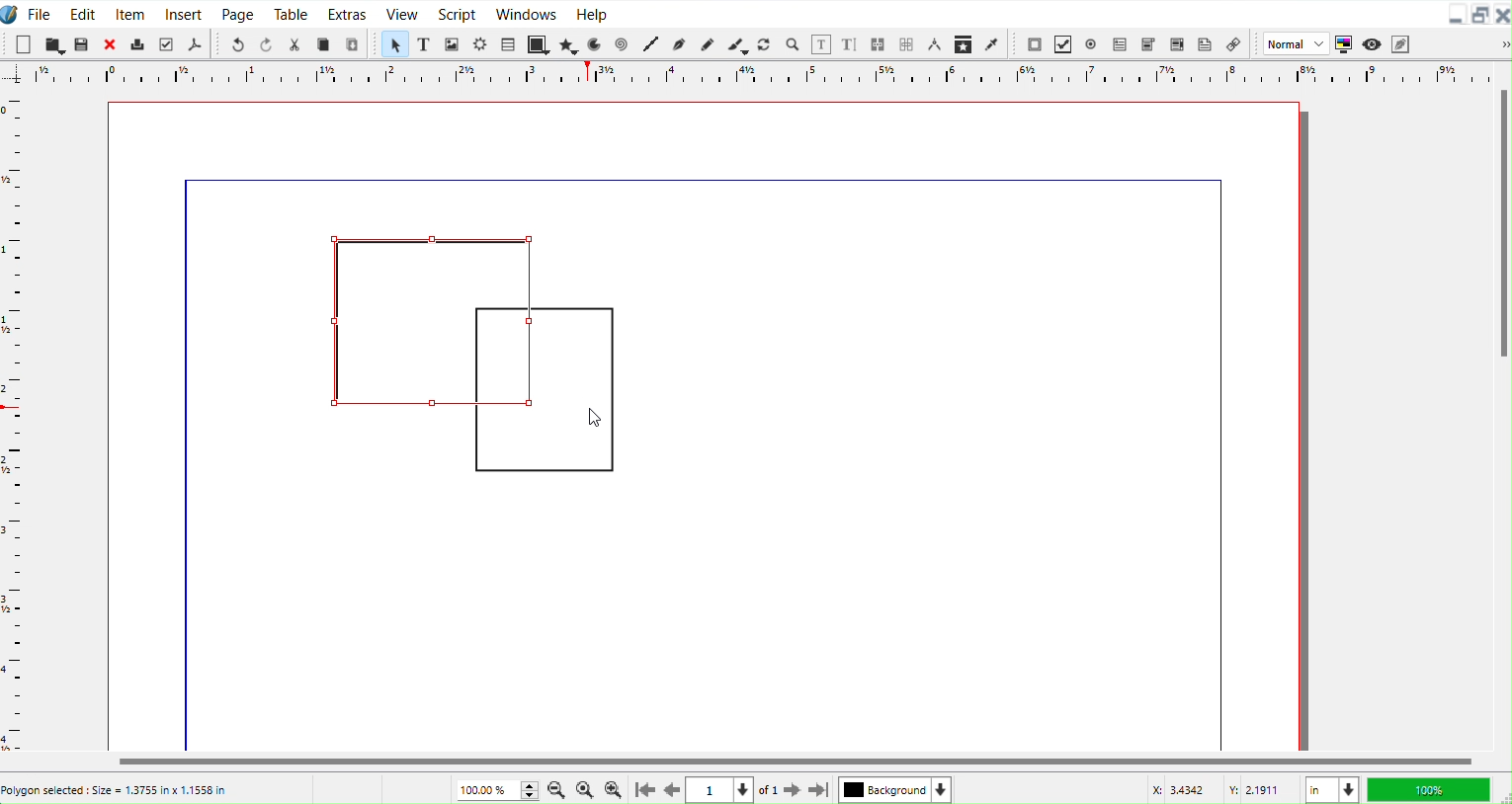 Image resolution: width=1512 pixels, height=804 pixels. I want to click on Preflight verifier, so click(167, 42).